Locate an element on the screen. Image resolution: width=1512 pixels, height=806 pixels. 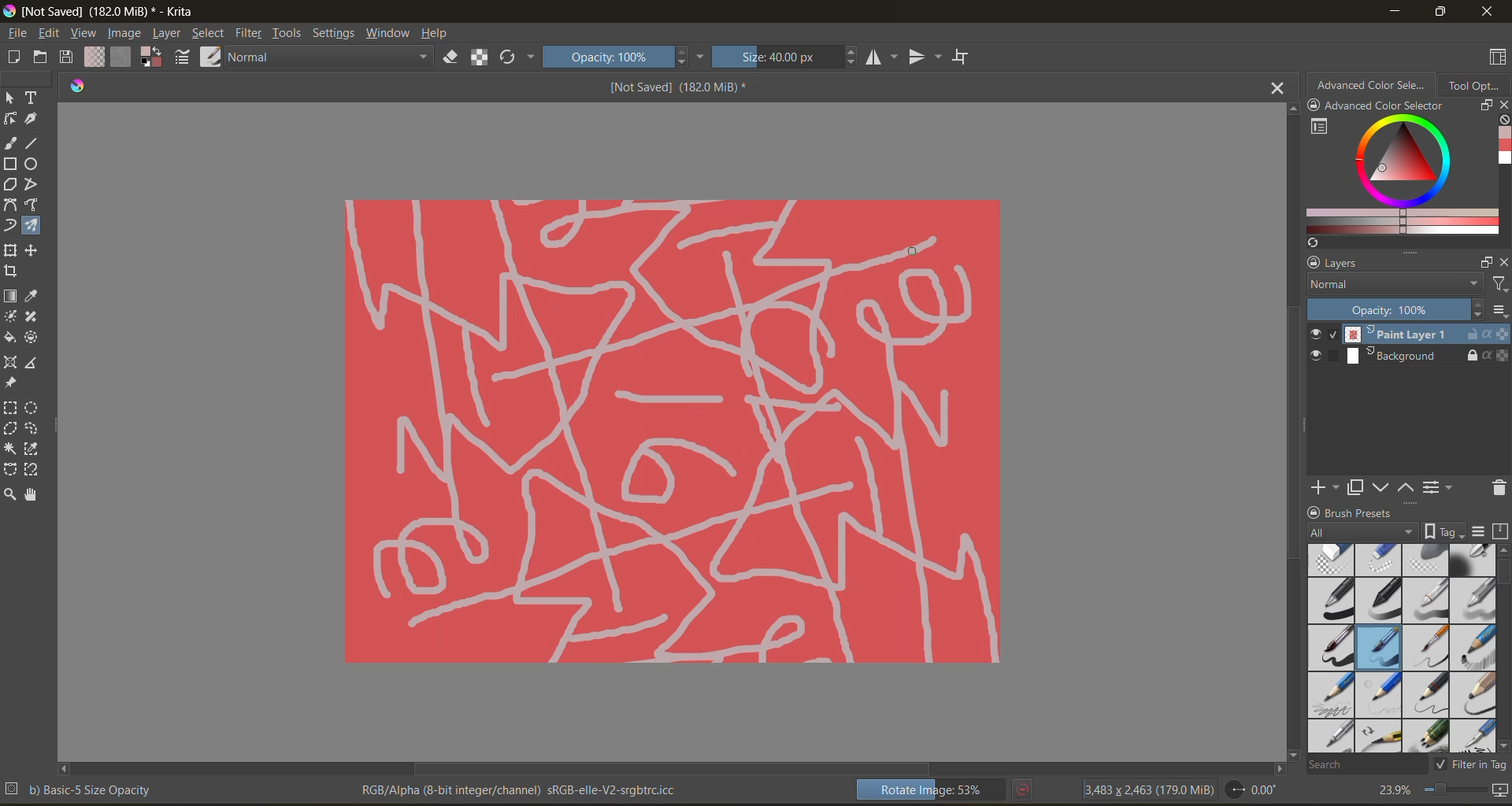
tools is located at coordinates (291, 35).